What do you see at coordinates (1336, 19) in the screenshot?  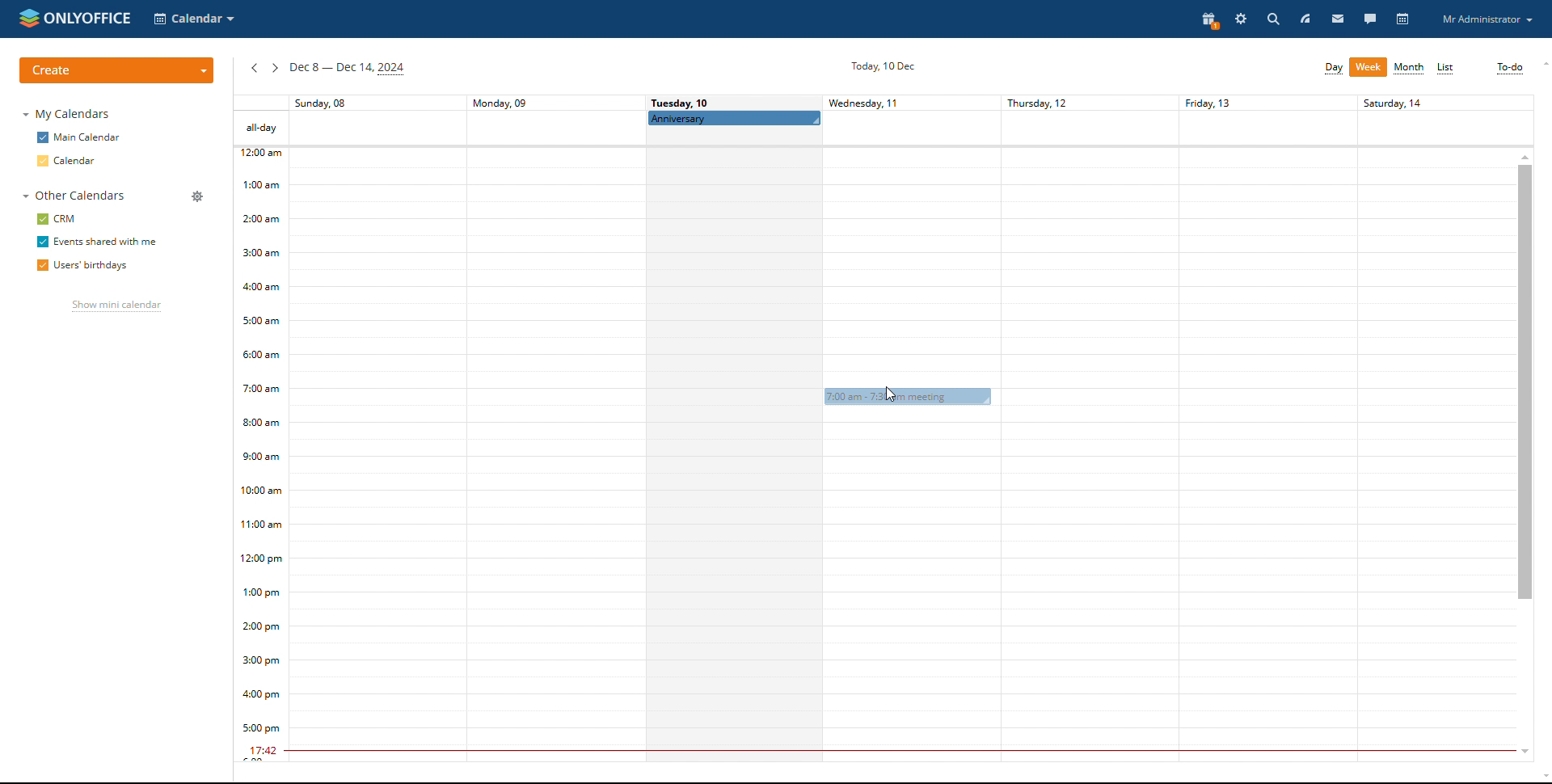 I see `mail` at bounding box center [1336, 19].